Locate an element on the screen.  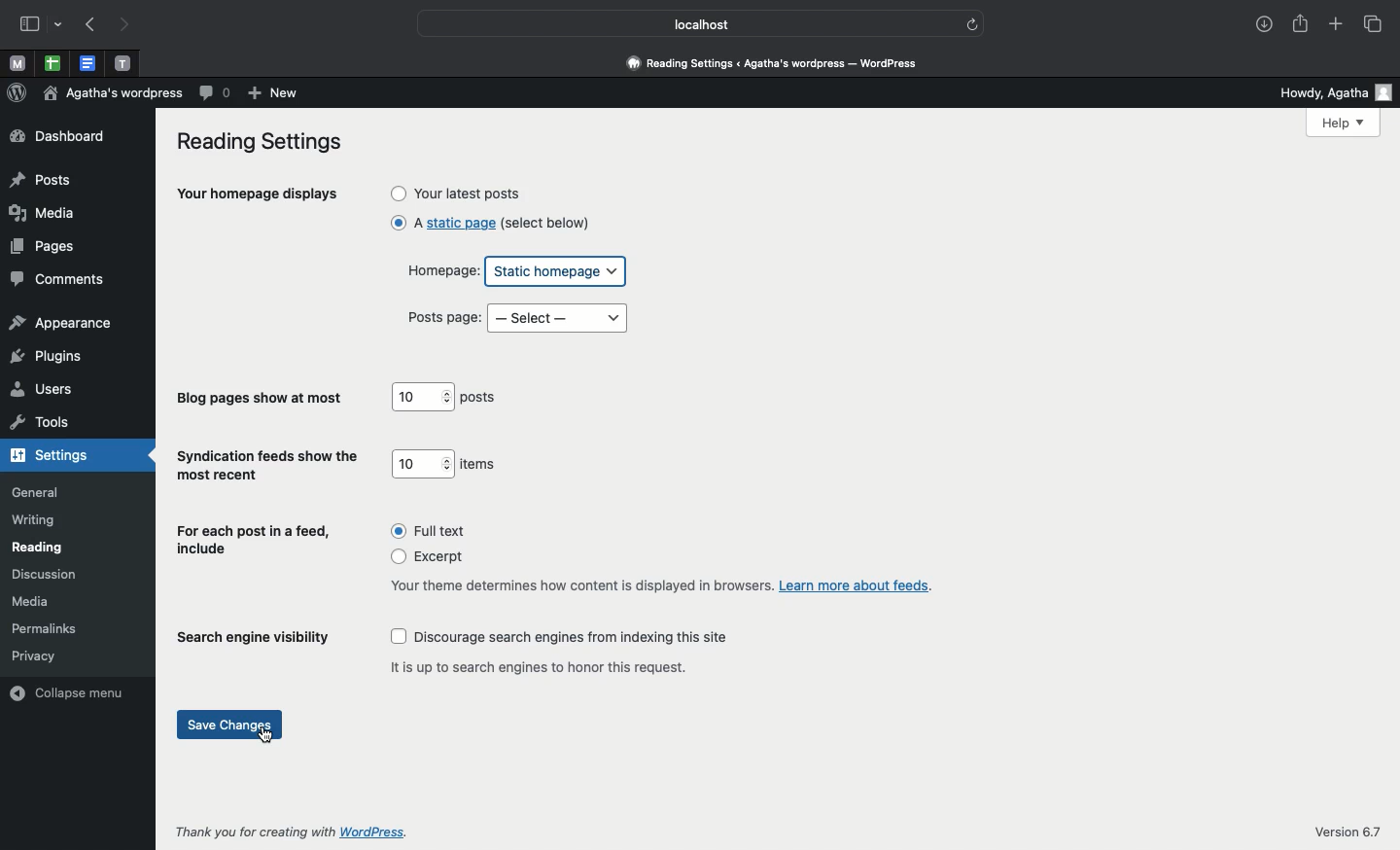
Tabs is located at coordinates (1377, 25).